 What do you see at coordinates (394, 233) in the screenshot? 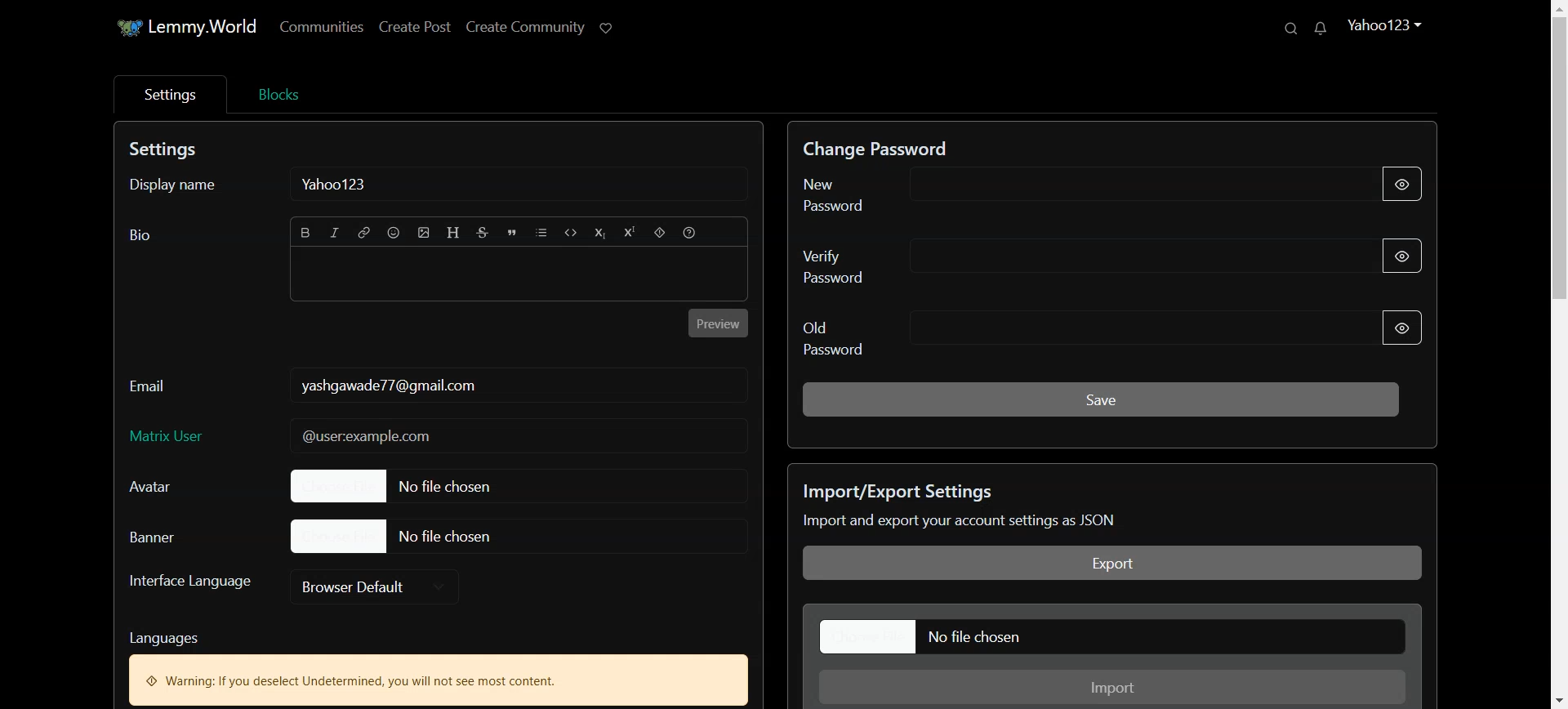
I see `Emoji` at bounding box center [394, 233].